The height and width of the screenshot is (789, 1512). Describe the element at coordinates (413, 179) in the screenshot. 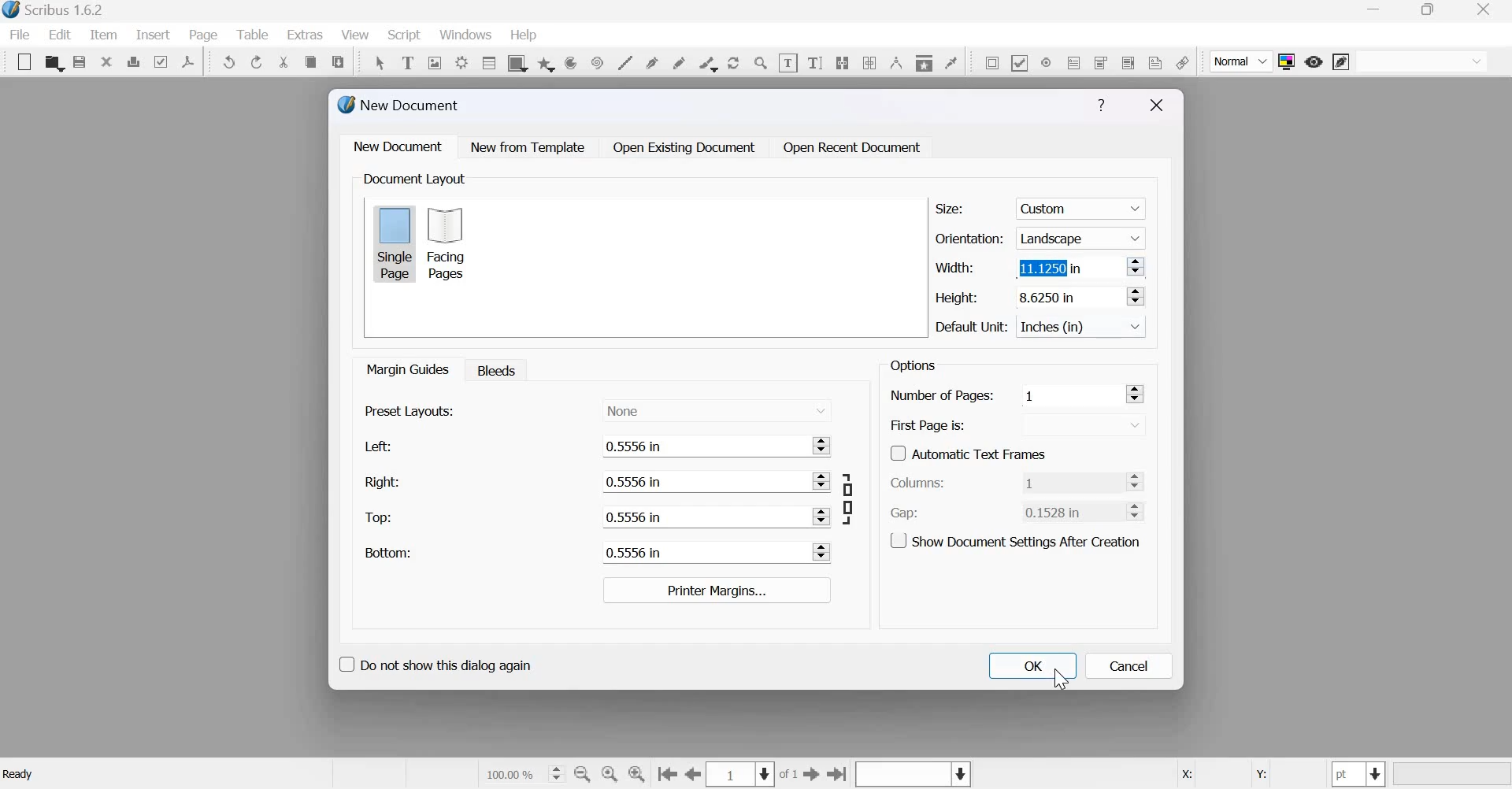

I see `Document Layout` at that location.